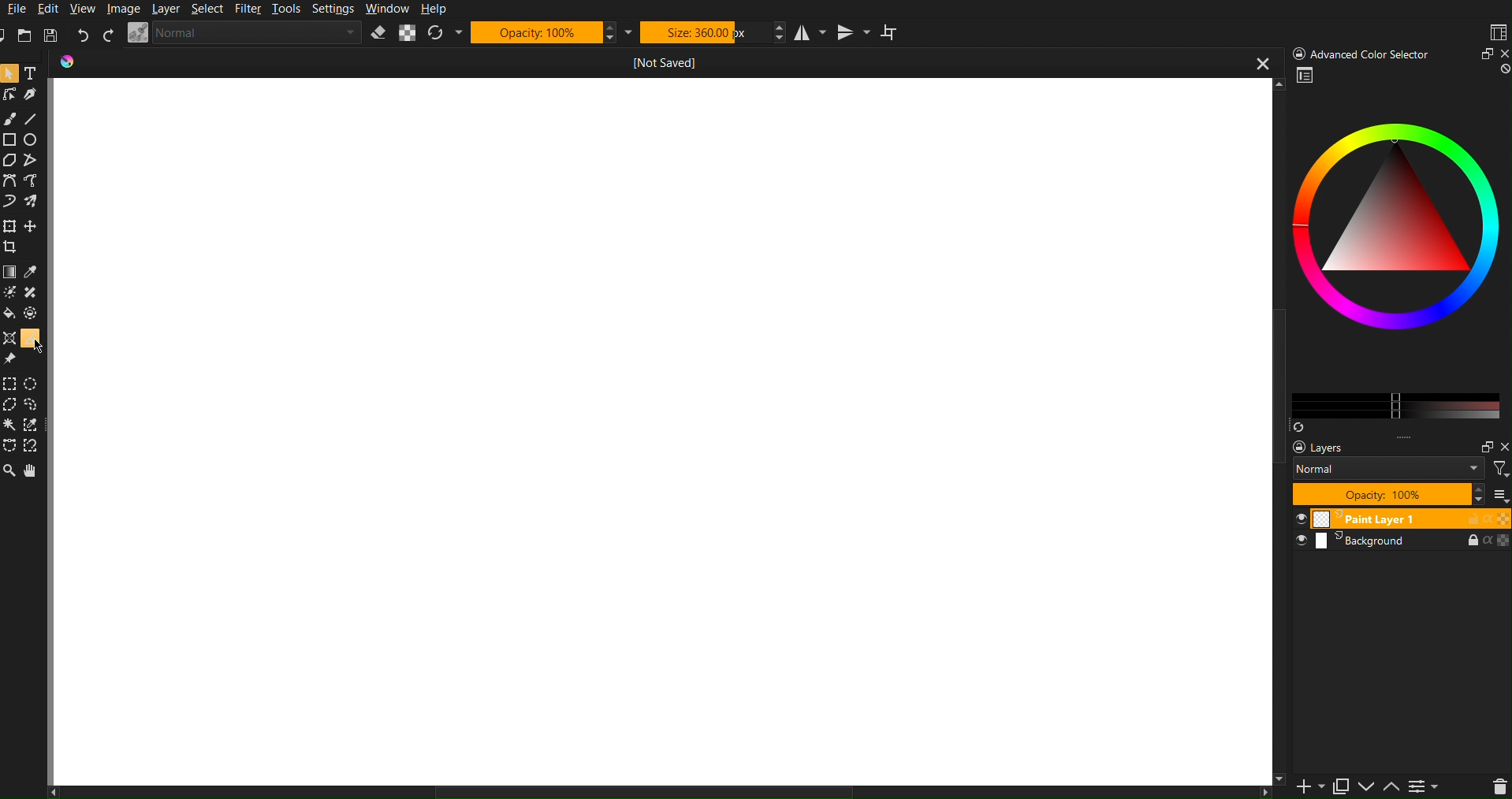 This screenshot has width=1512, height=799. Describe the element at coordinates (1396, 786) in the screenshot. I see `Up` at that location.